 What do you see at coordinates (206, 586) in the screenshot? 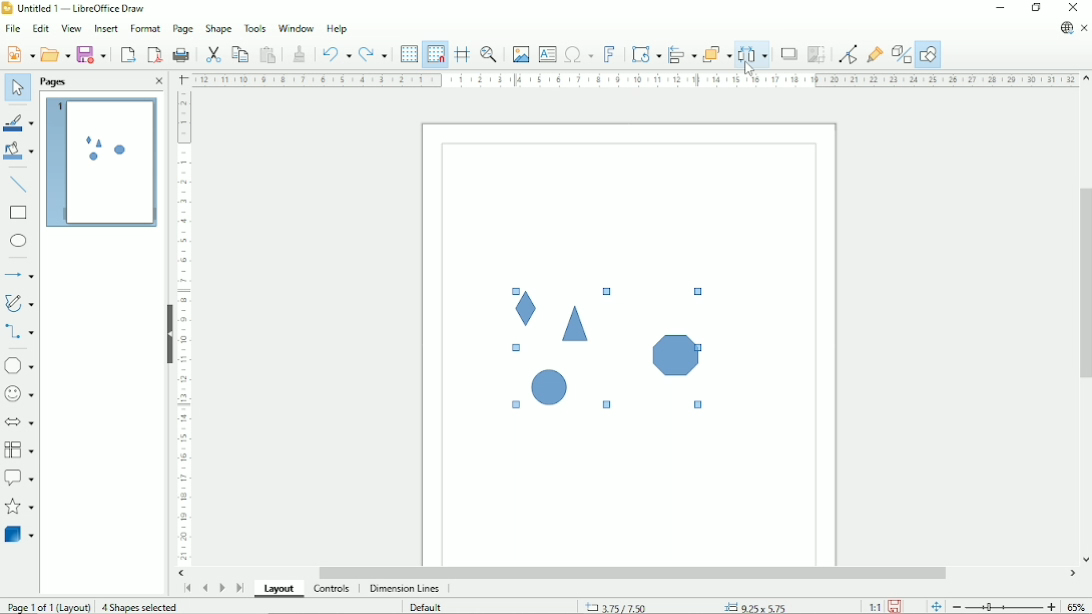
I see `Scroll to previous page` at bounding box center [206, 586].